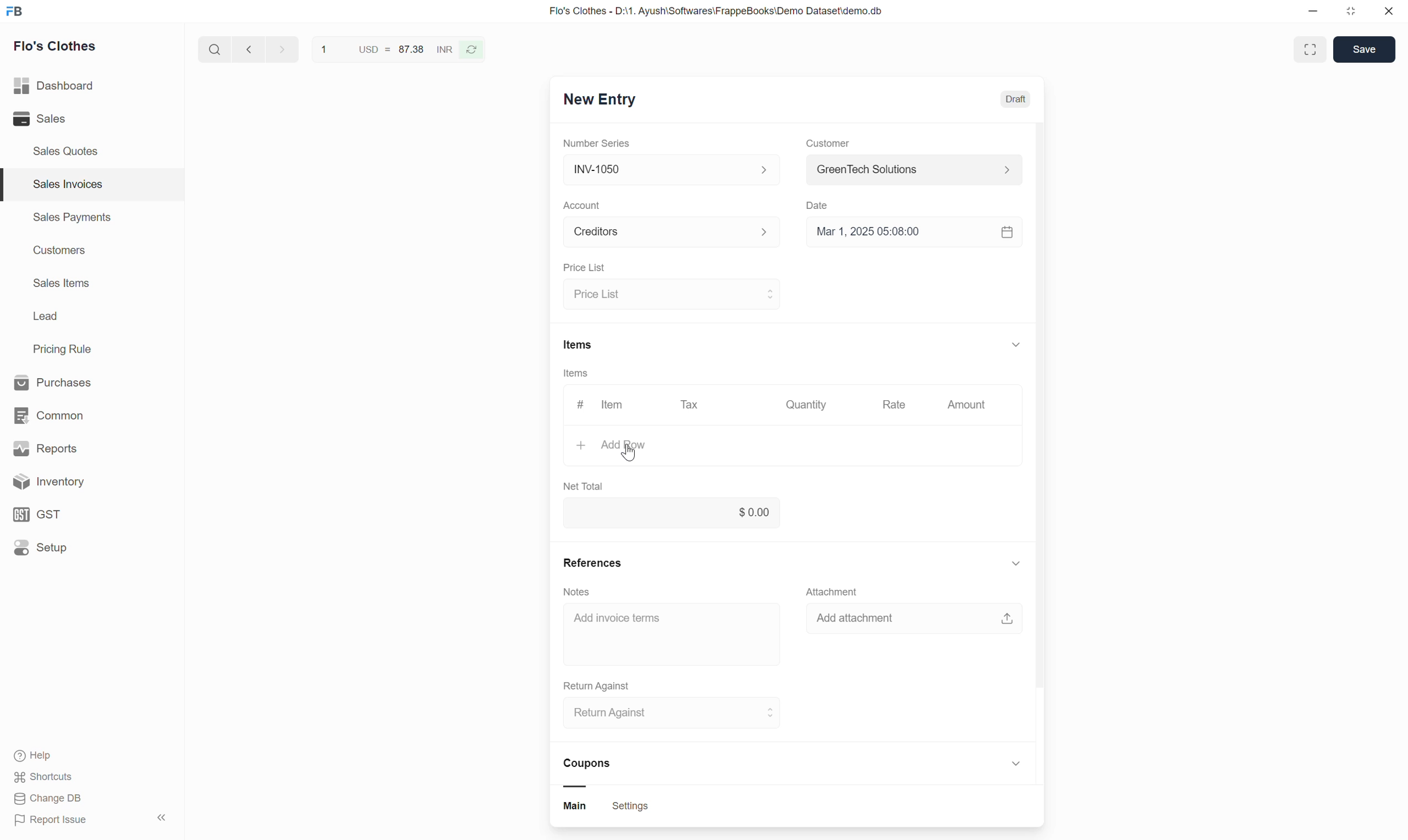 The image size is (1408, 840). I want to click on Customers, so click(58, 252).